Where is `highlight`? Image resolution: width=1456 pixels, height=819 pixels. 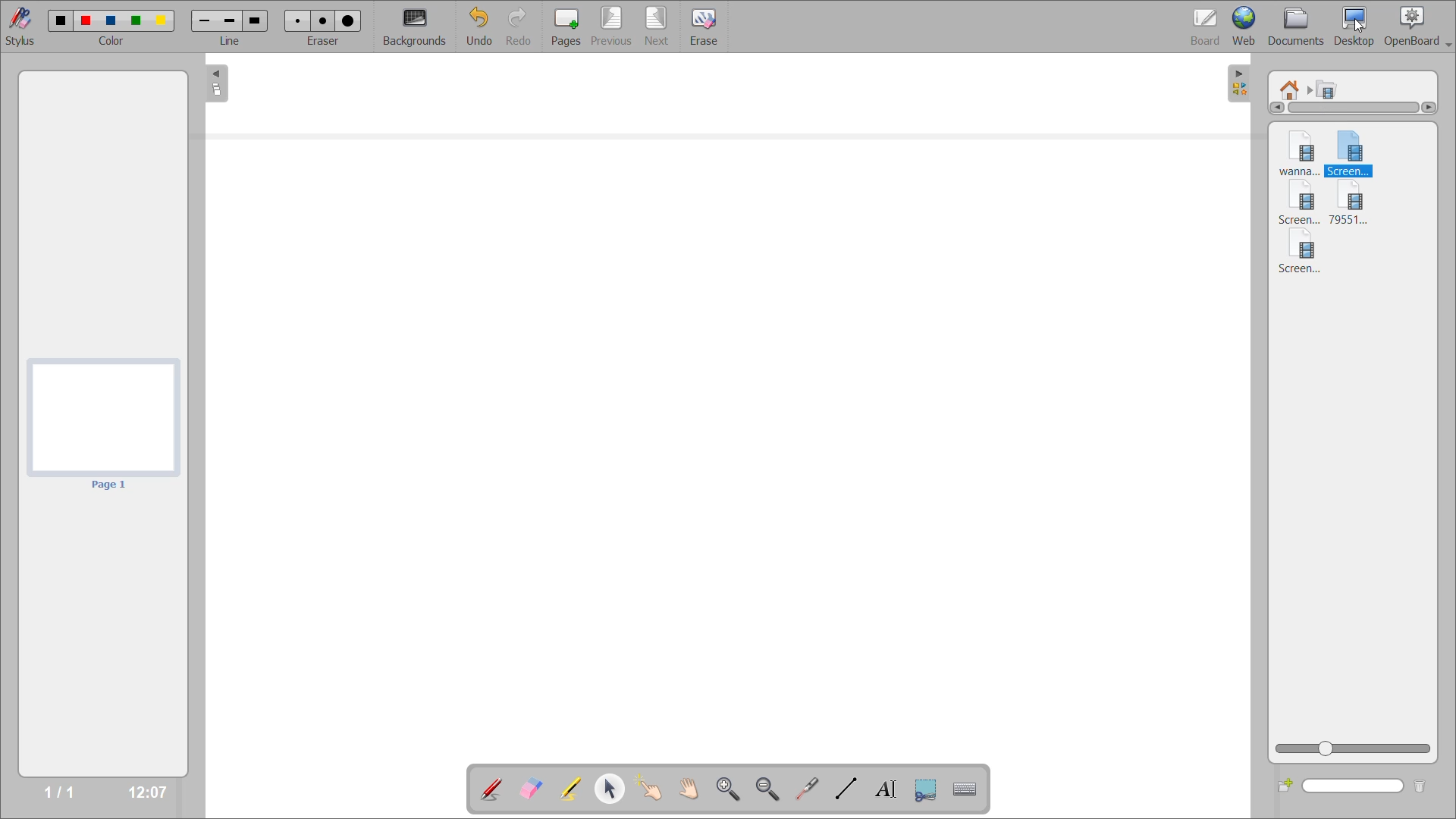 highlight is located at coordinates (569, 786).